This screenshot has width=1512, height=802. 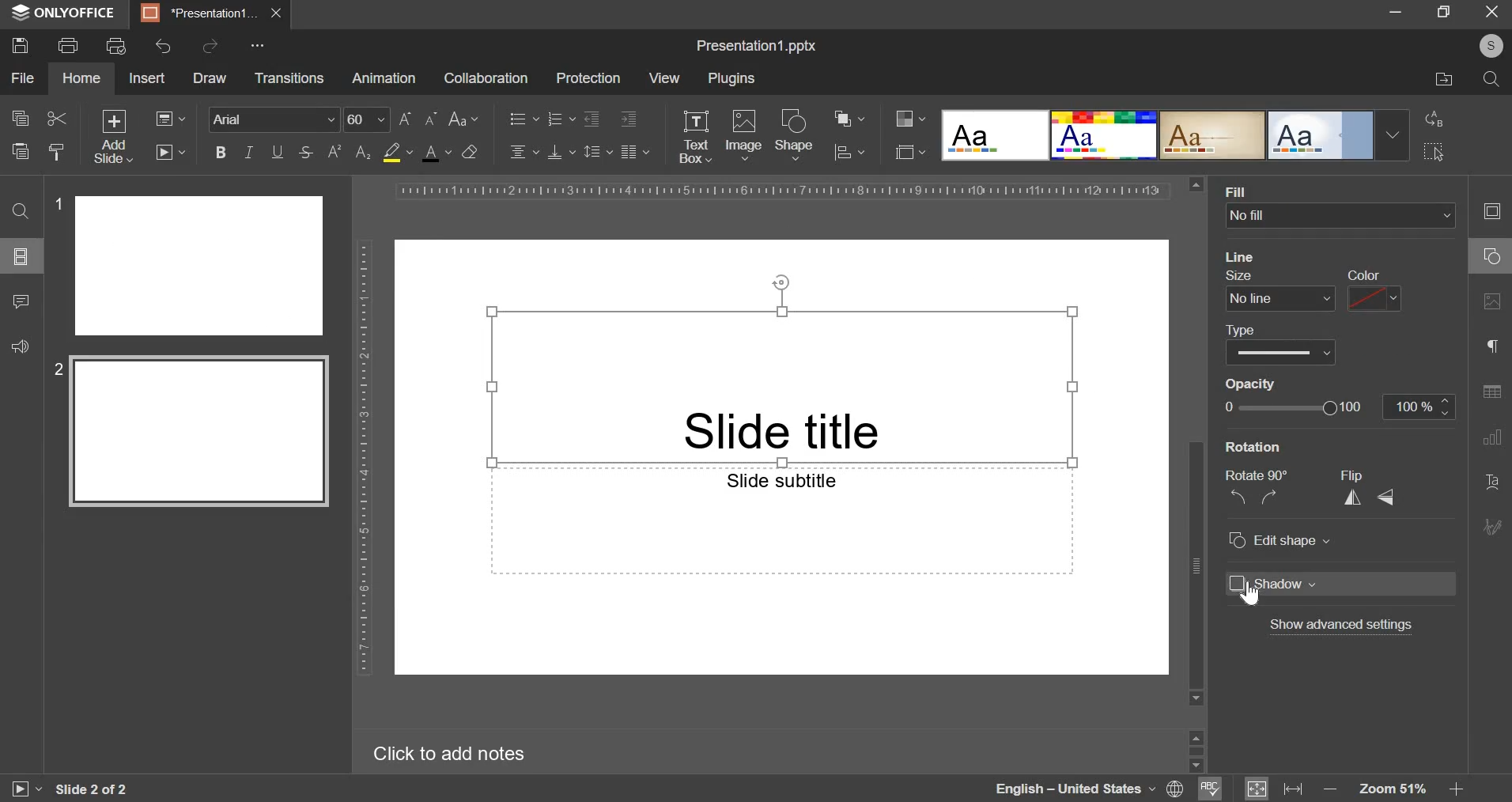 I want to click on flip, so click(x=1355, y=474).